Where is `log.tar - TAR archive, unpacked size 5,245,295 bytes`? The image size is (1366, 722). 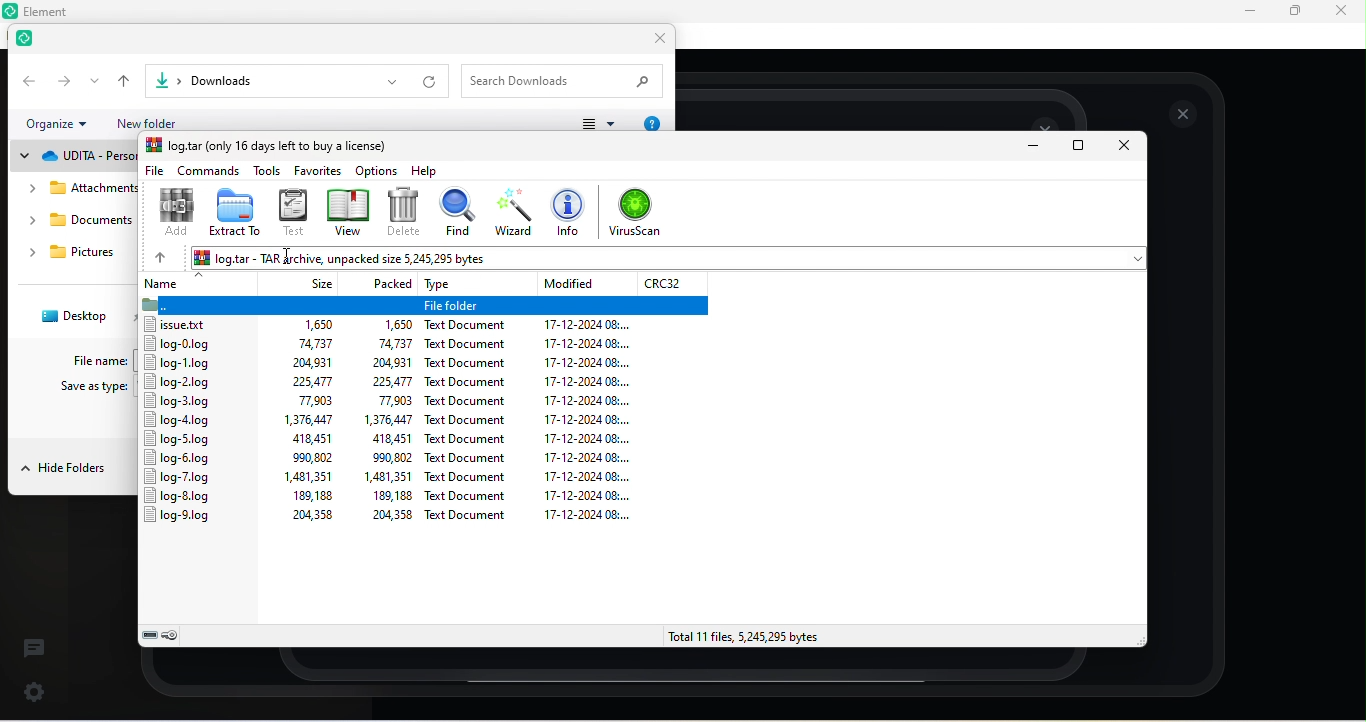 log.tar - TAR archive, unpacked size 5,245,295 bytes is located at coordinates (365, 259).